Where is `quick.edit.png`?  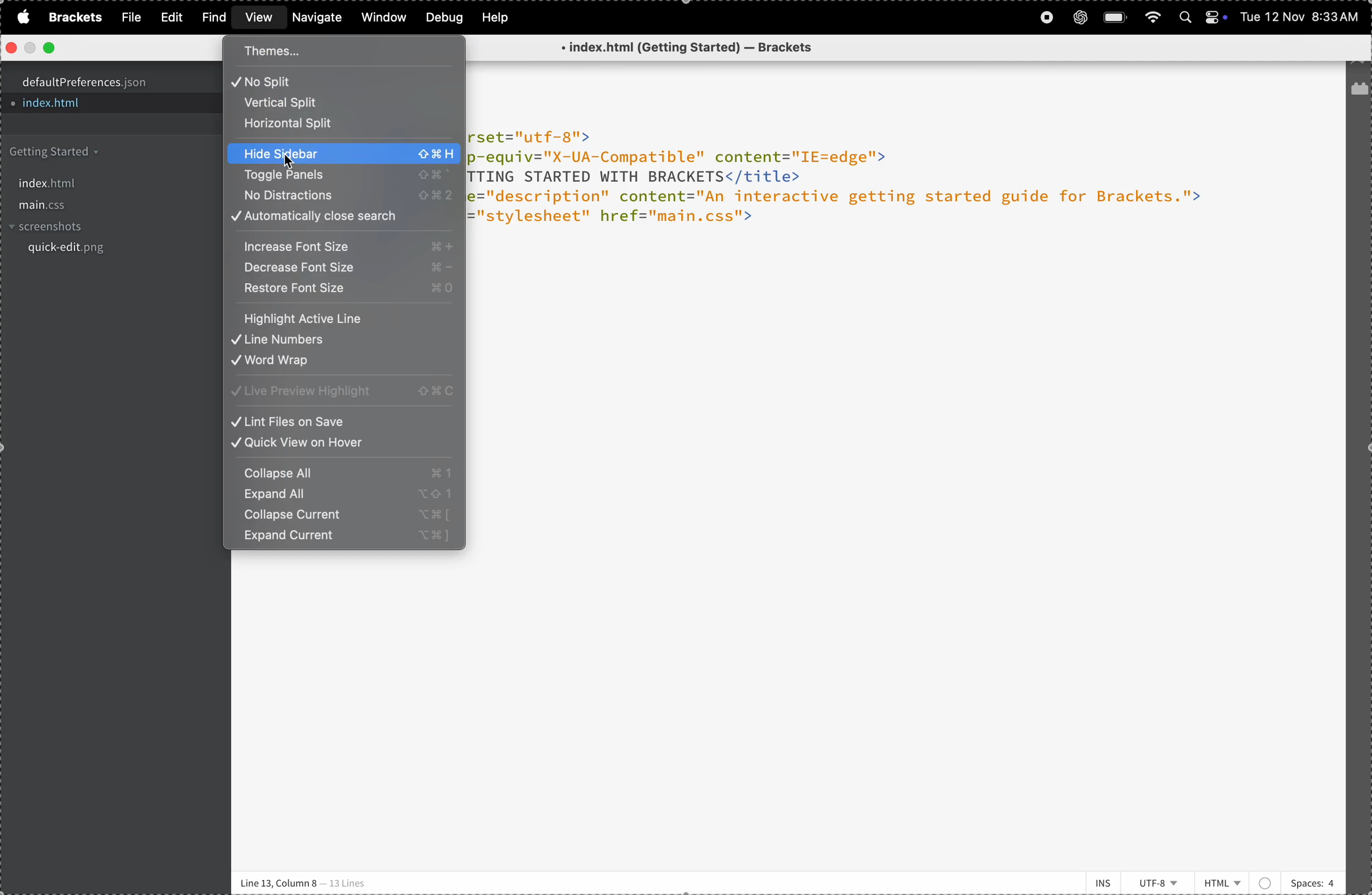
quick.edit.png is located at coordinates (104, 252).